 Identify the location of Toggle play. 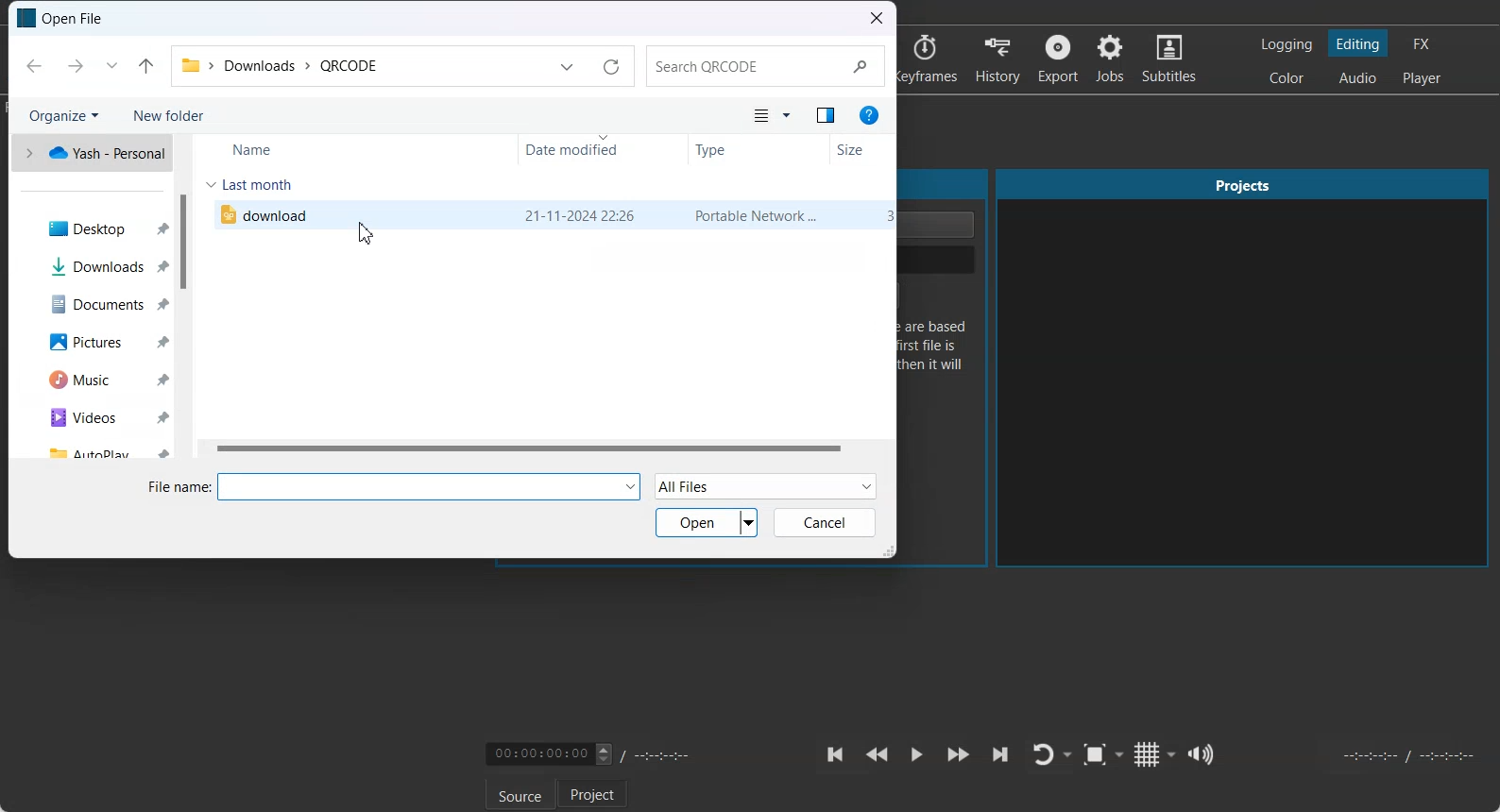
(917, 754).